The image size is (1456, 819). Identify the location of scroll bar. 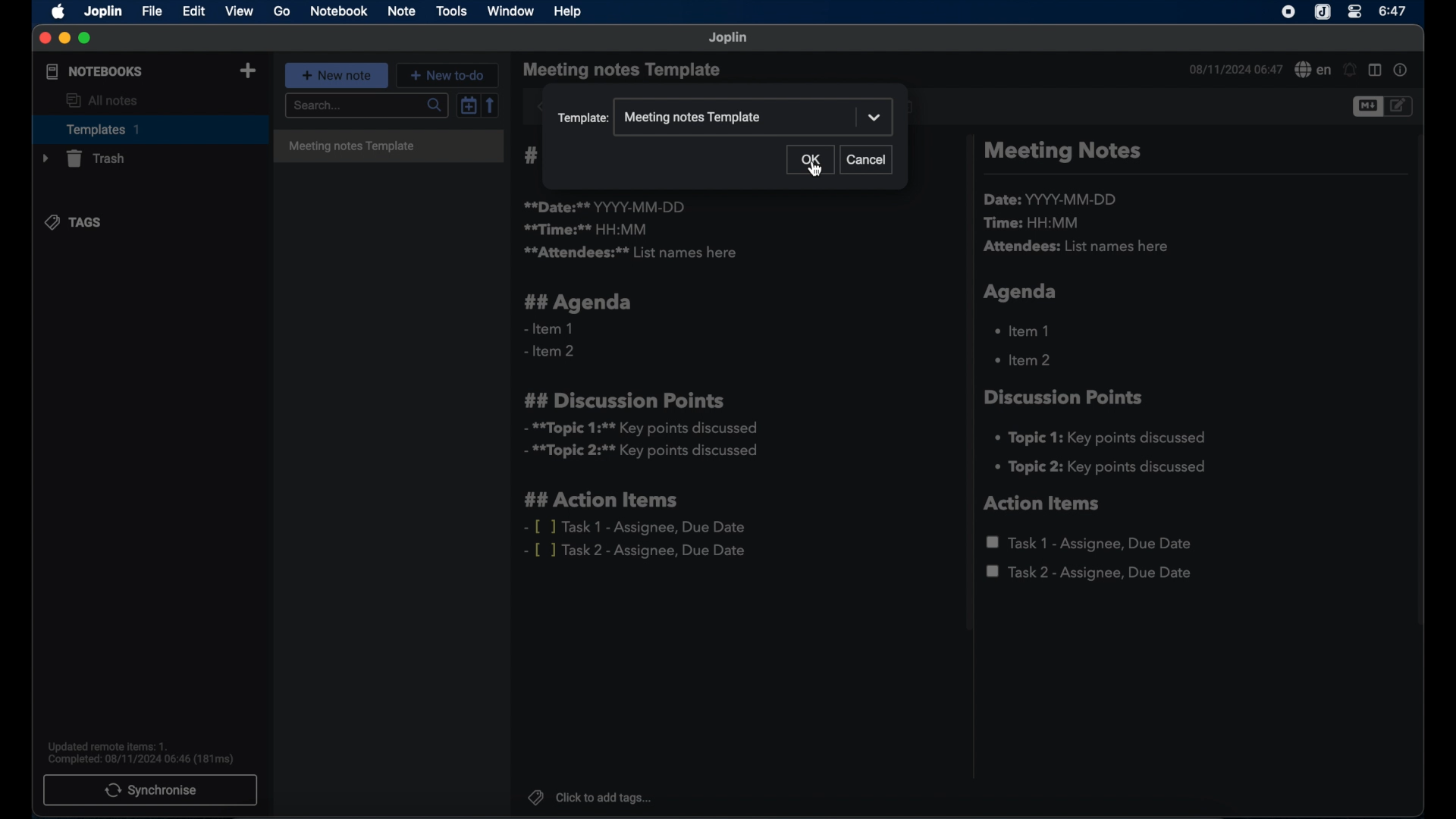
(1421, 390).